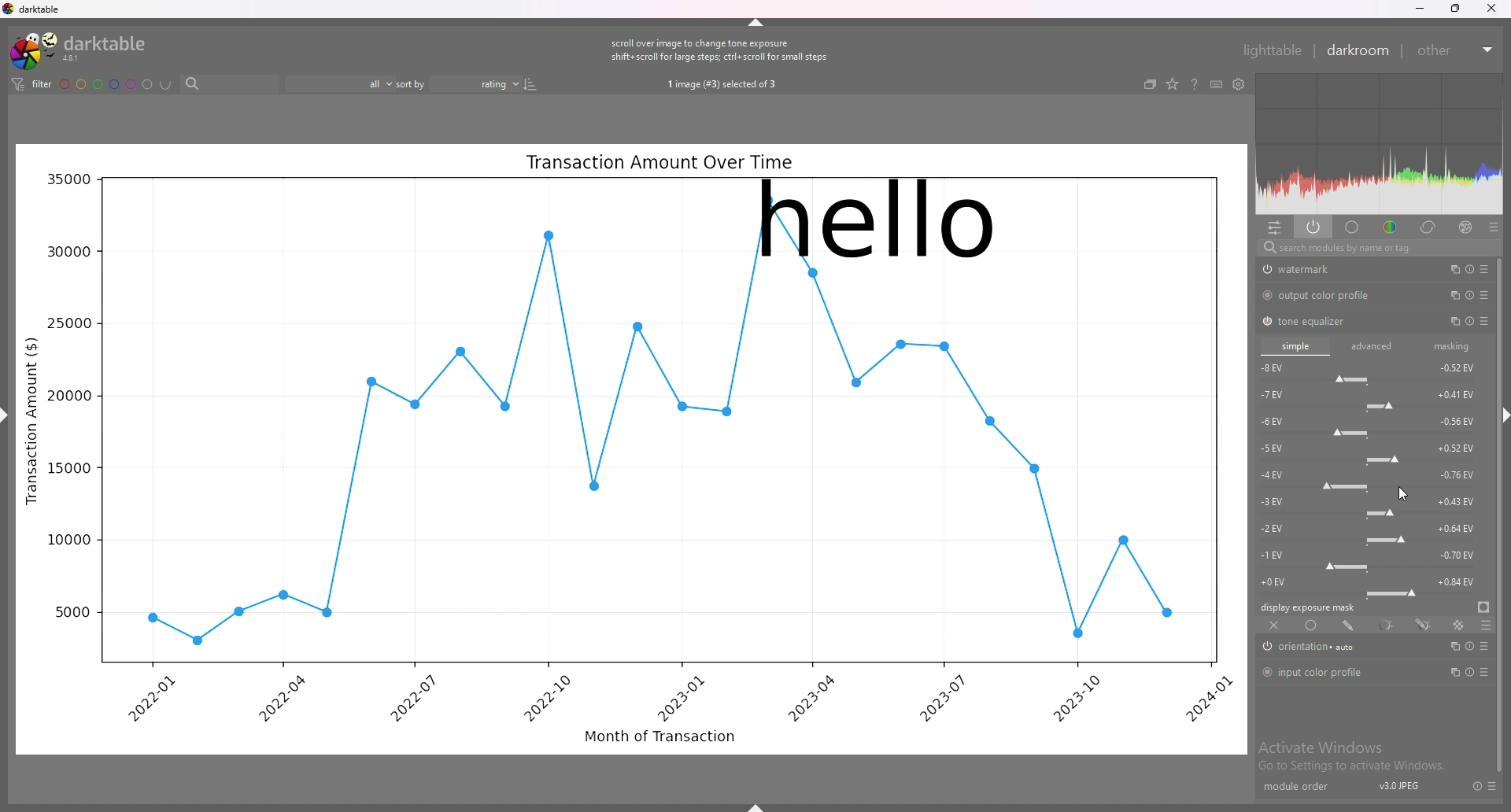 The height and width of the screenshot is (812, 1511). What do you see at coordinates (1369, 371) in the screenshot?
I see `-8 EV force` at bounding box center [1369, 371].